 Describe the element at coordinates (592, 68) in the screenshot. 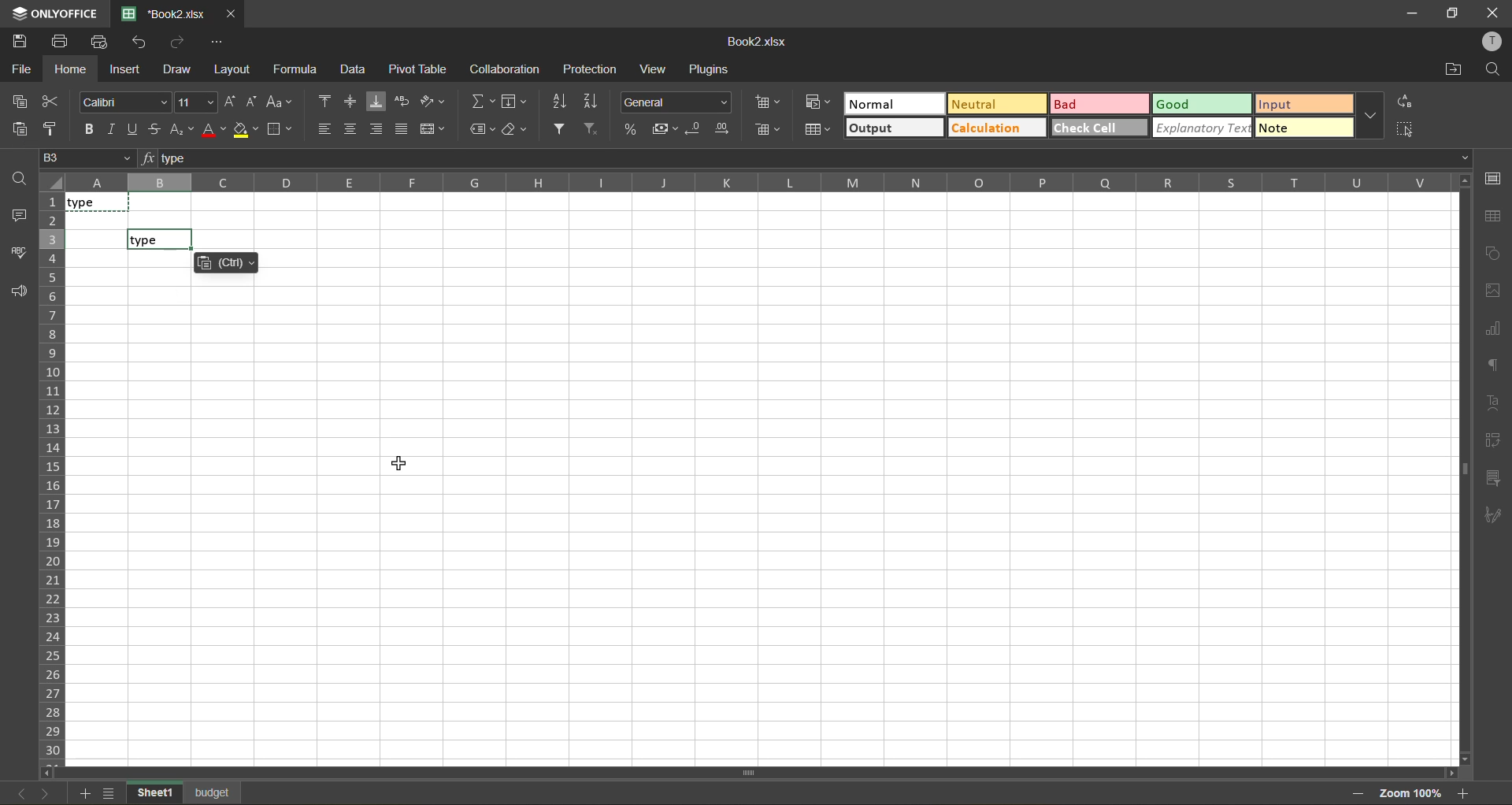

I see `protection` at that location.